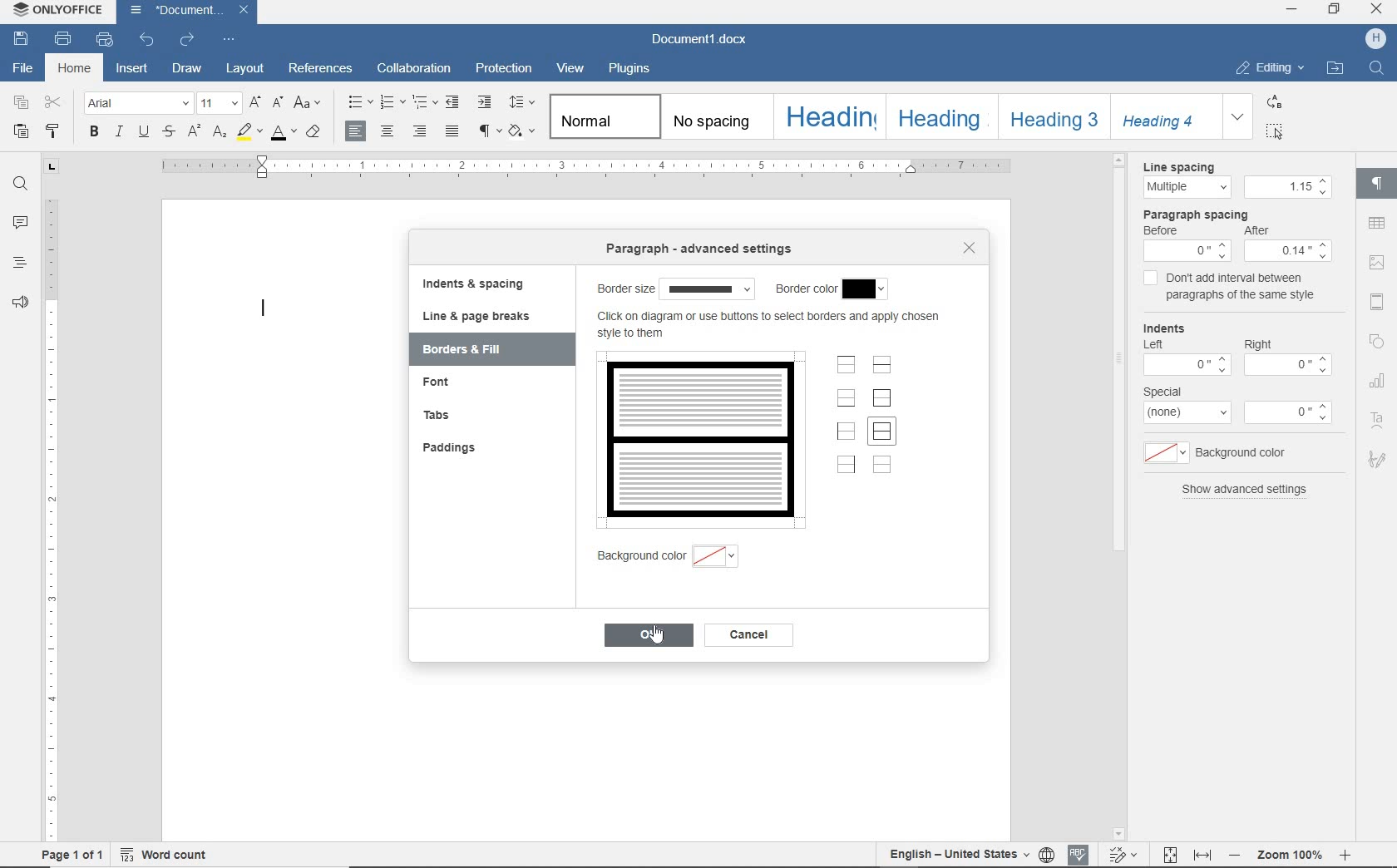 This screenshot has height=868, width=1397. What do you see at coordinates (685, 558) in the screenshot?
I see `background color` at bounding box center [685, 558].